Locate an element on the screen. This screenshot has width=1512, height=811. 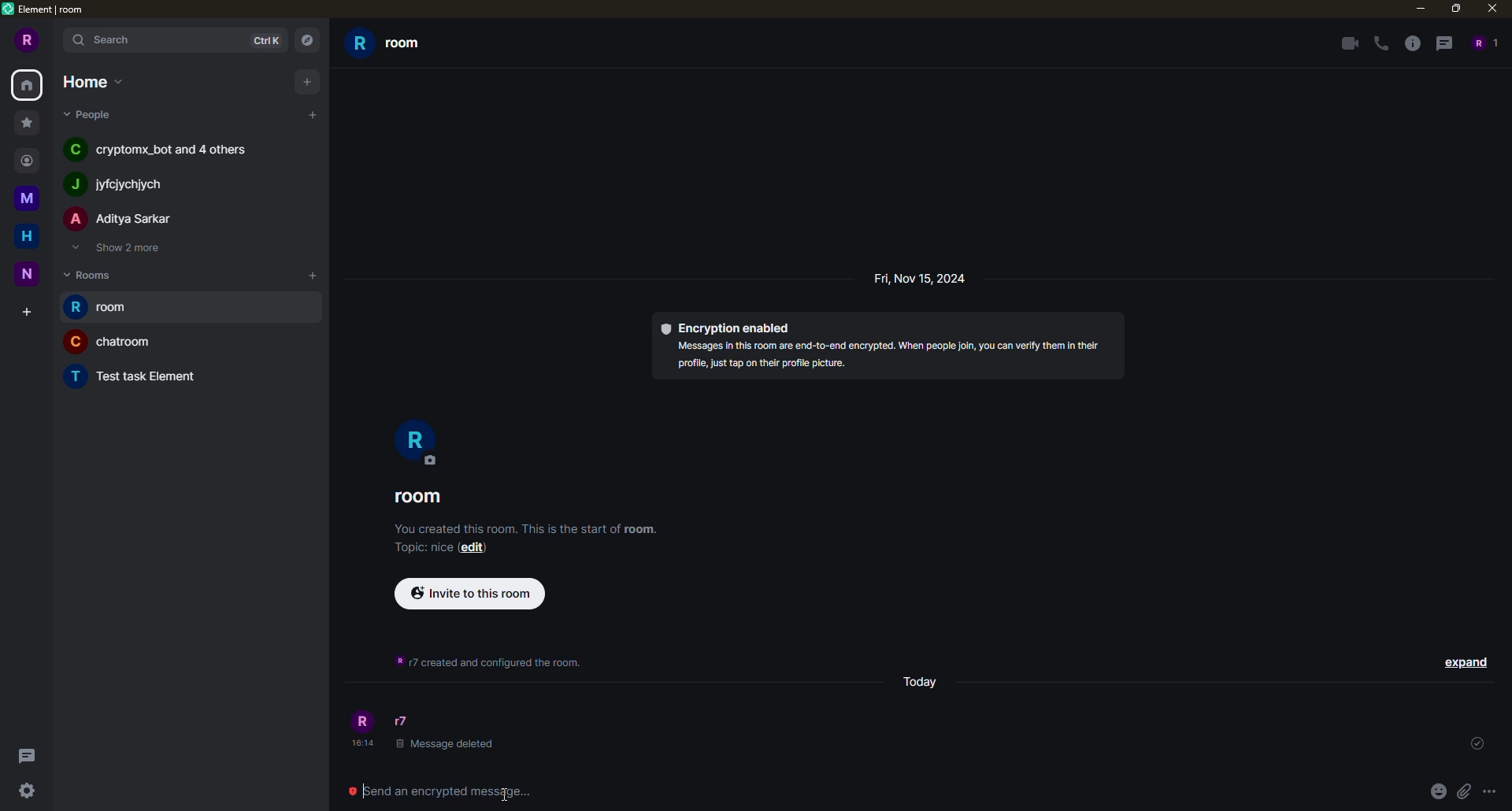
profile is located at coordinates (362, 720).